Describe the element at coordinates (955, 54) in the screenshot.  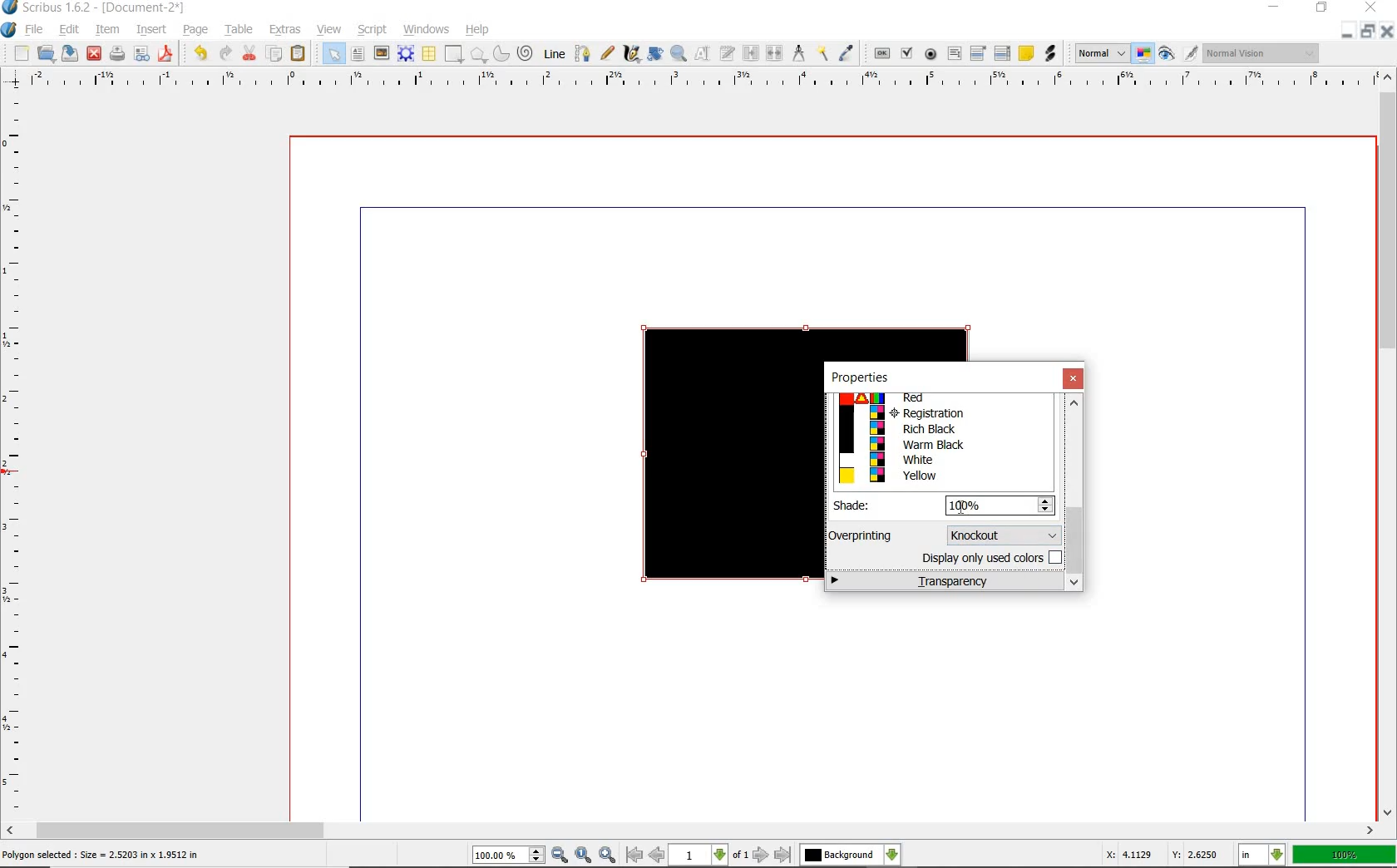
I see `pdf text field` at that location.